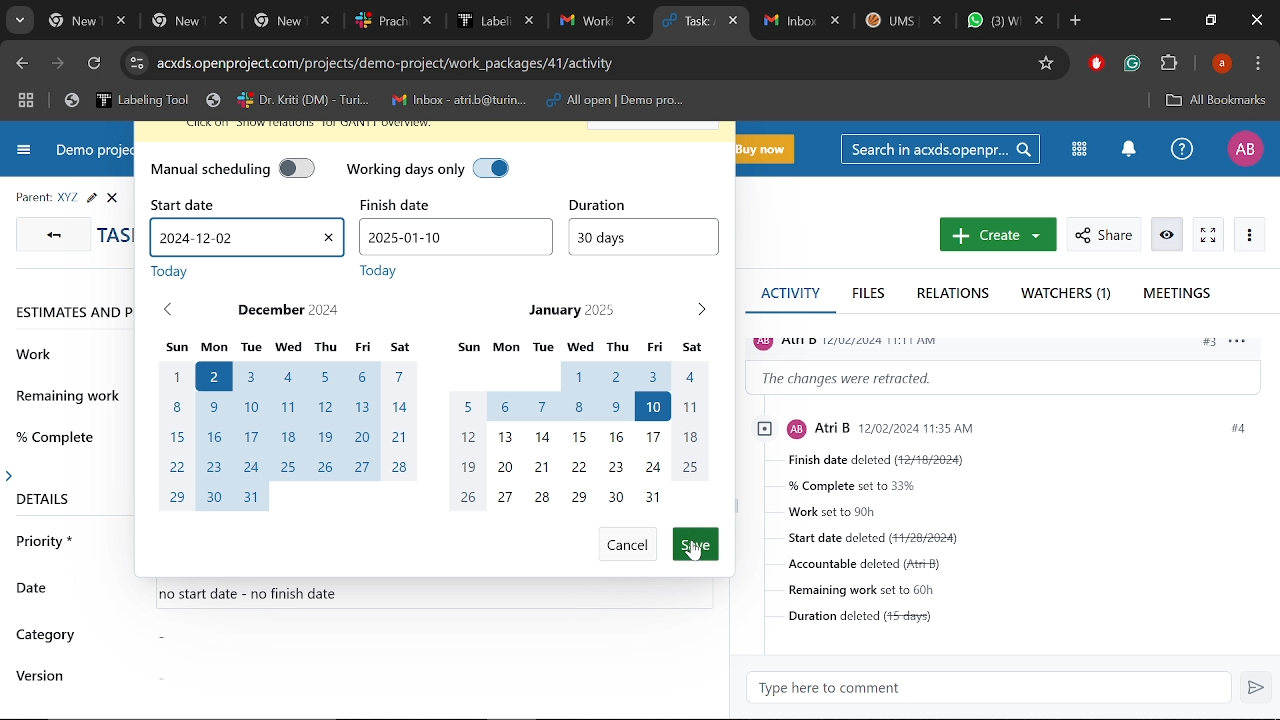 This screenshot has height=720, width=1280. I want to click on Close current tab, so click(735, 23).